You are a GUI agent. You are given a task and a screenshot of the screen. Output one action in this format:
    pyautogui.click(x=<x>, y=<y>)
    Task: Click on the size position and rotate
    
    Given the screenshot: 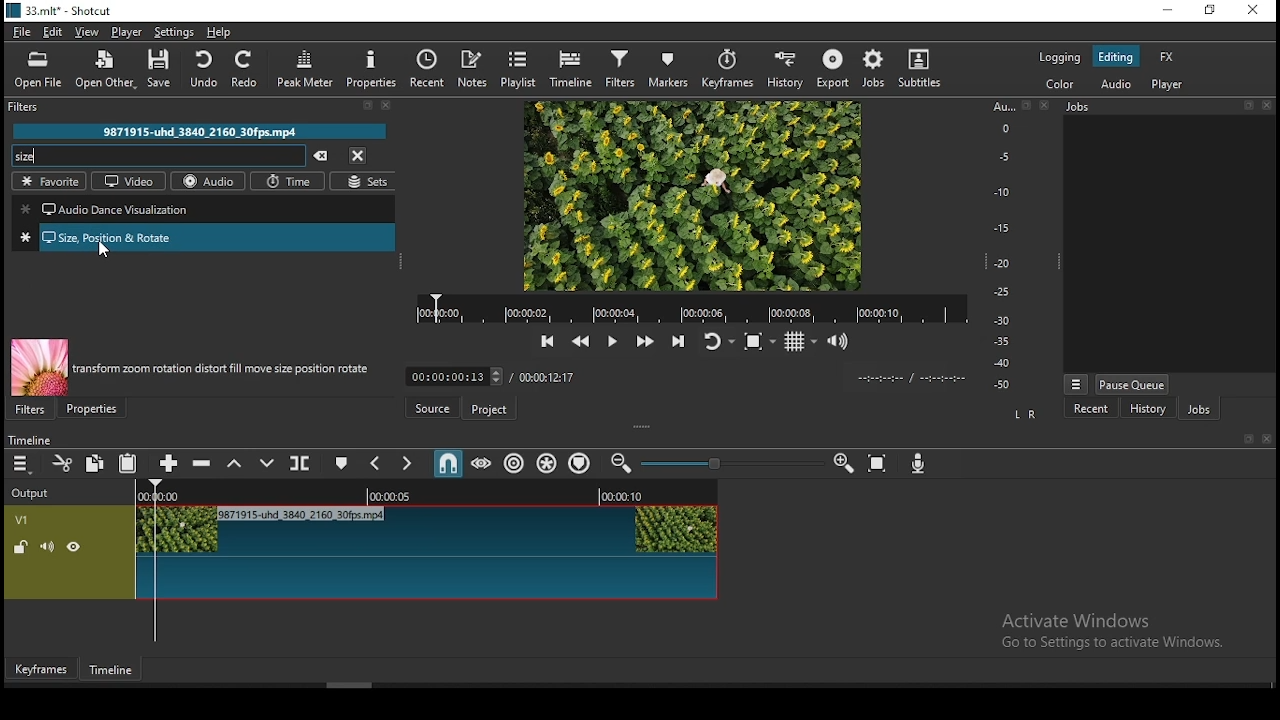 What is the action you would take?
    pyautogui.click(x=205, y=240)
    